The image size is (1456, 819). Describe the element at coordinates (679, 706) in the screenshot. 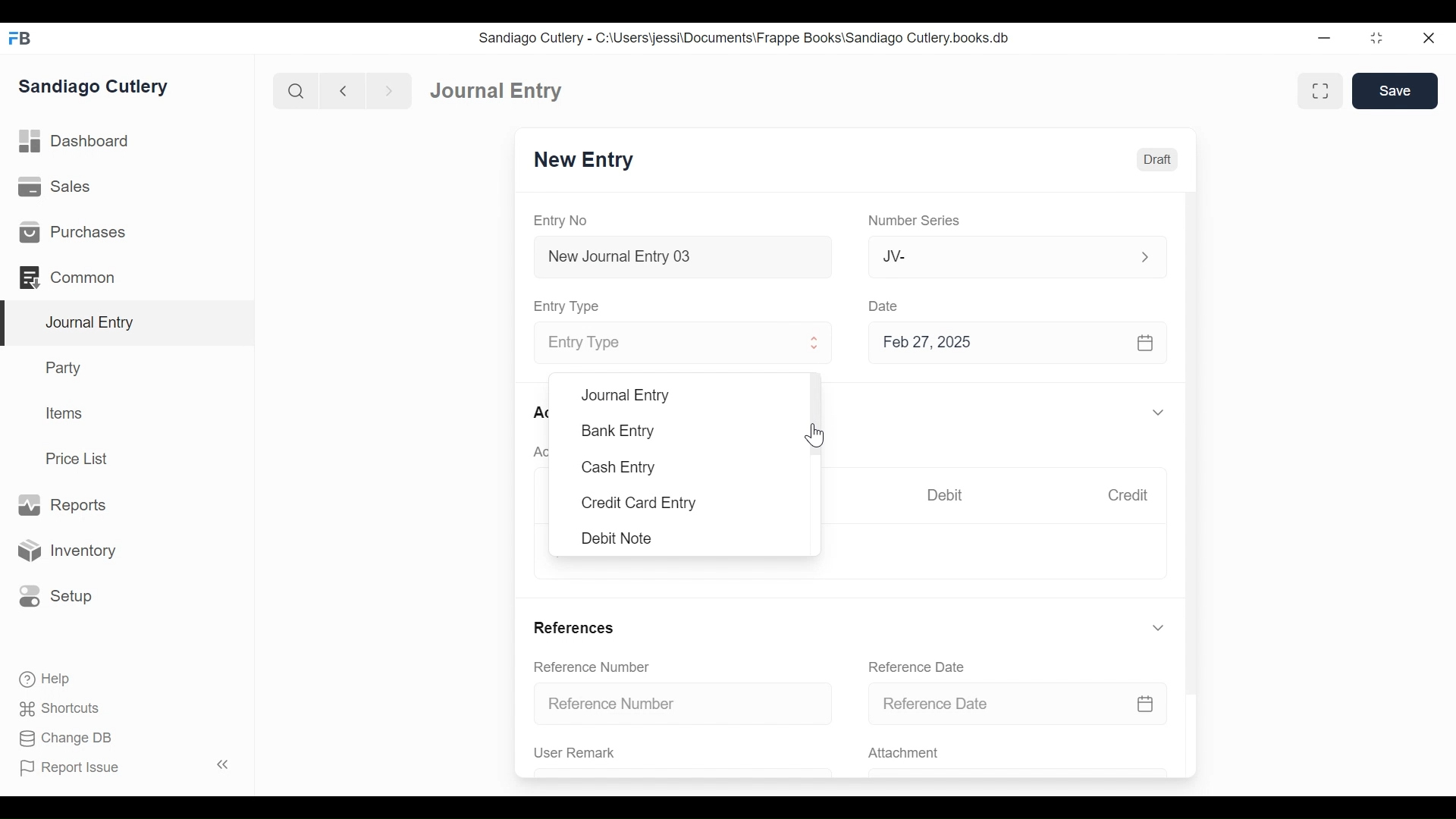

I see `Reference Number` at that location.